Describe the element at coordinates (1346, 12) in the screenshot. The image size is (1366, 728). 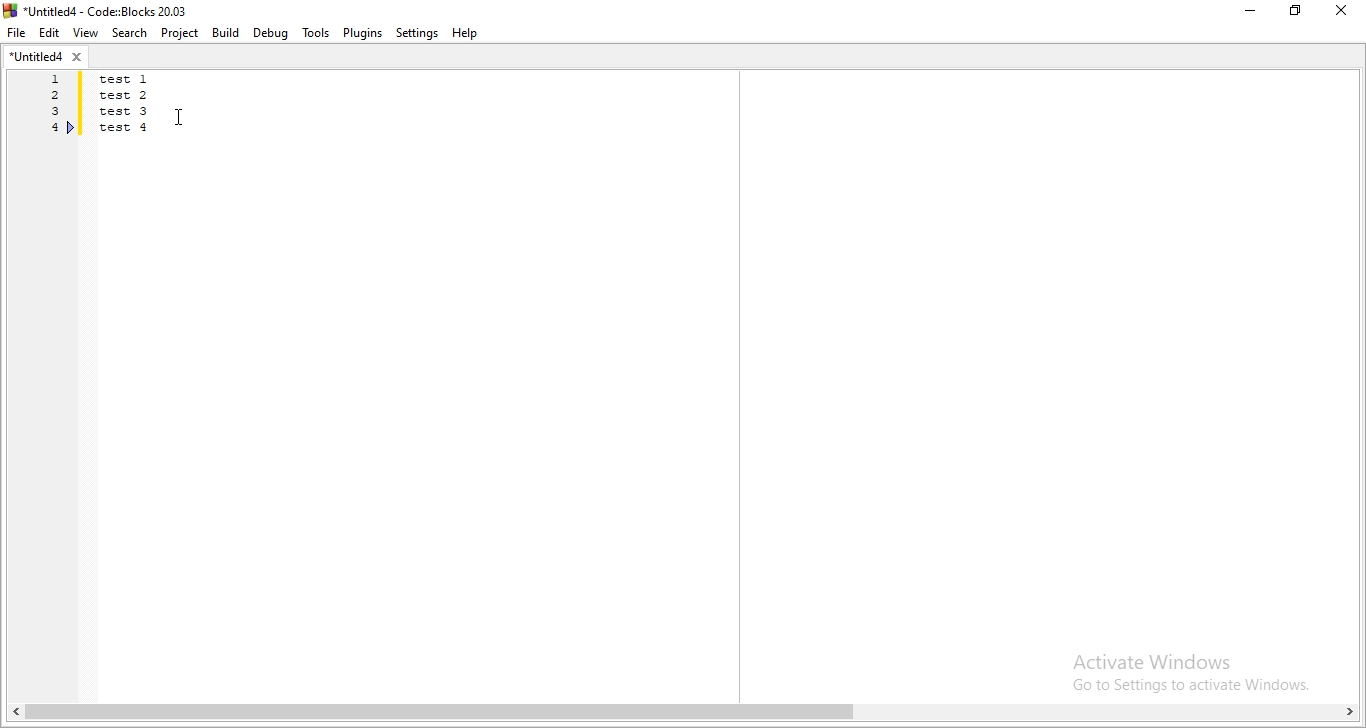
I see `close` at that location.